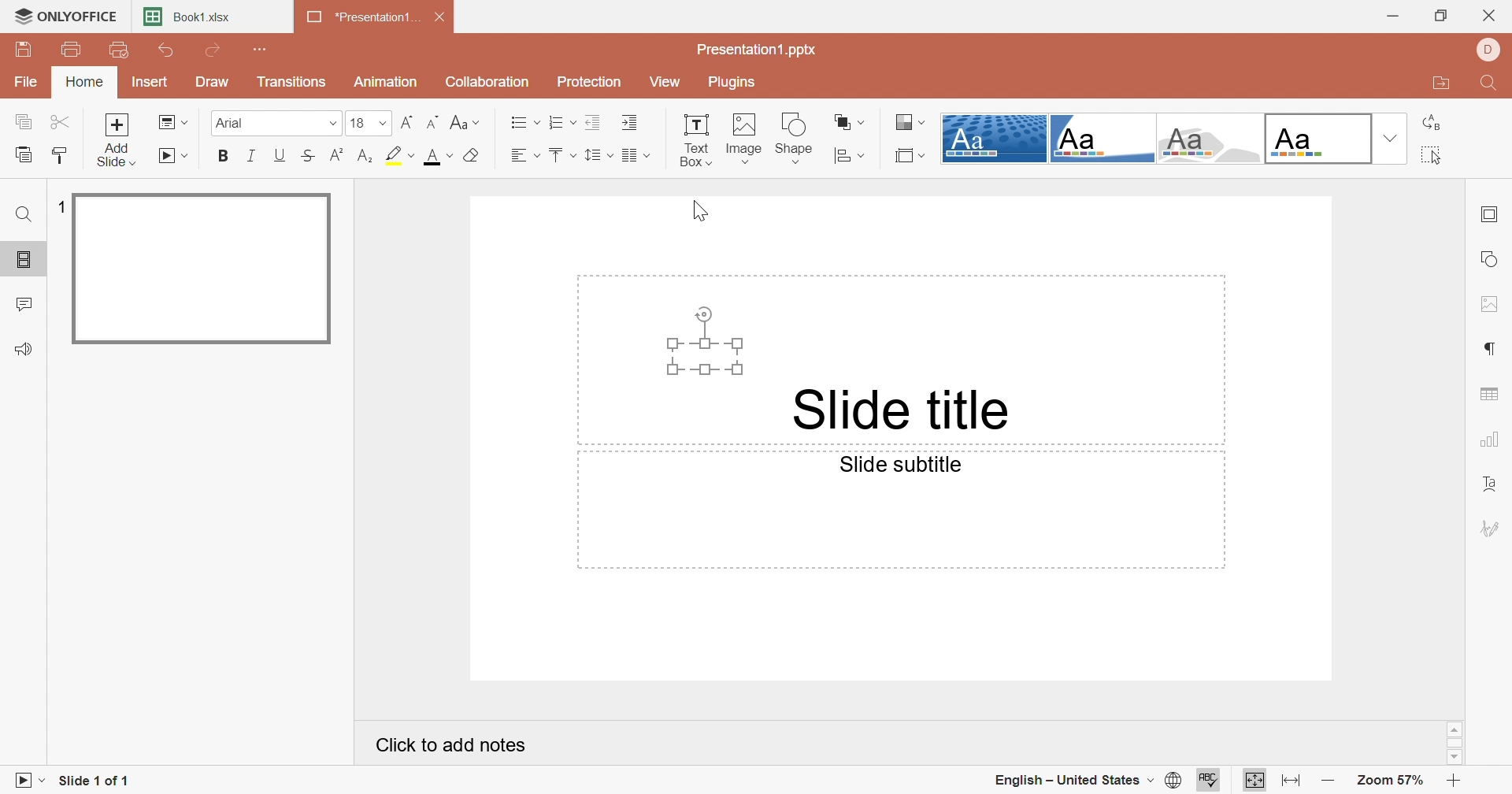  What do you see at coordinates (187, 16) in the screenshot?
I see `Book1.xlsx` at bounding box center [187, 16].